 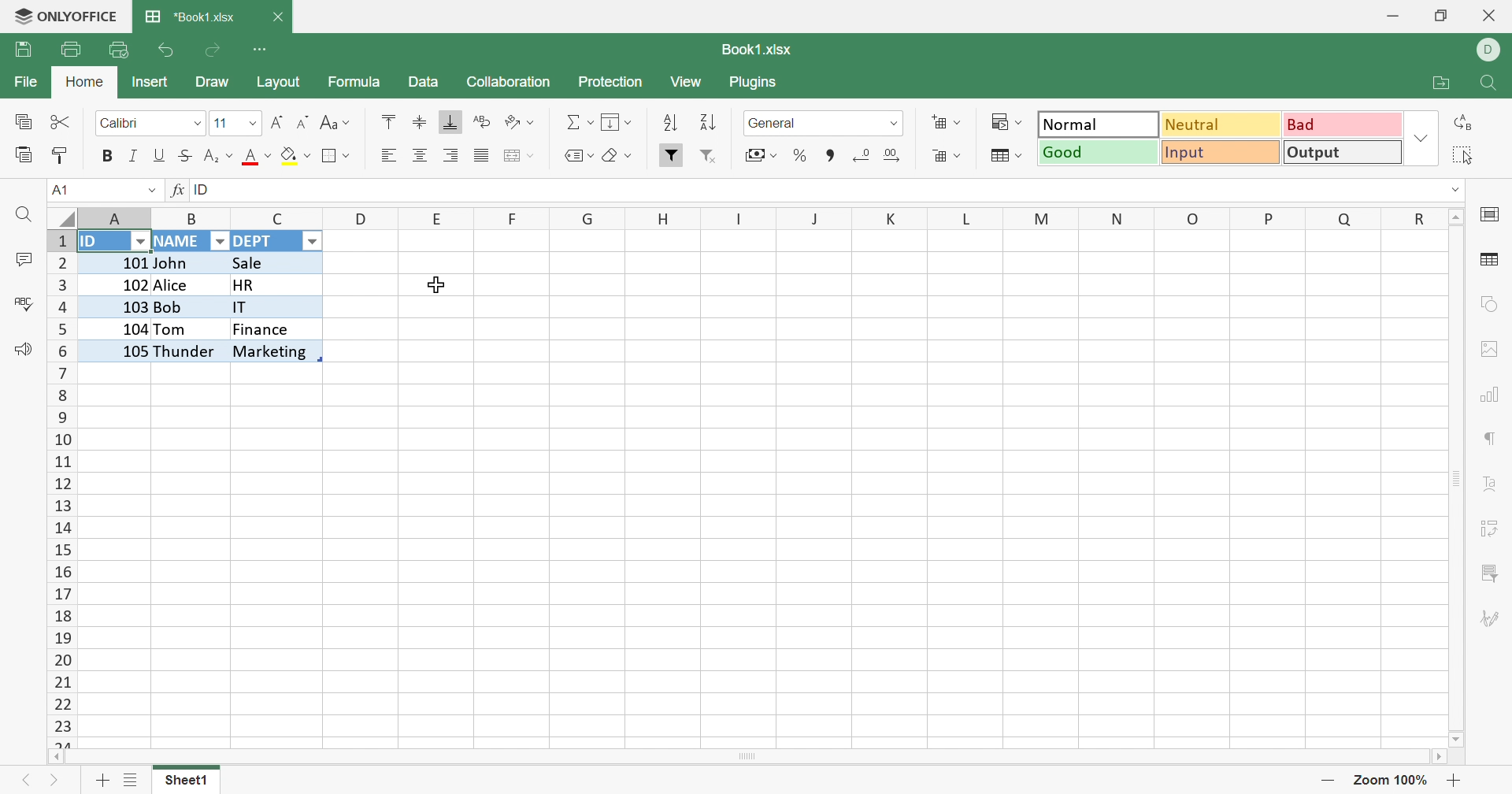 What do you see at coordinates (1391, 17) in the screenshot?
I see `Minimize` at bounding box center [1391, 17].